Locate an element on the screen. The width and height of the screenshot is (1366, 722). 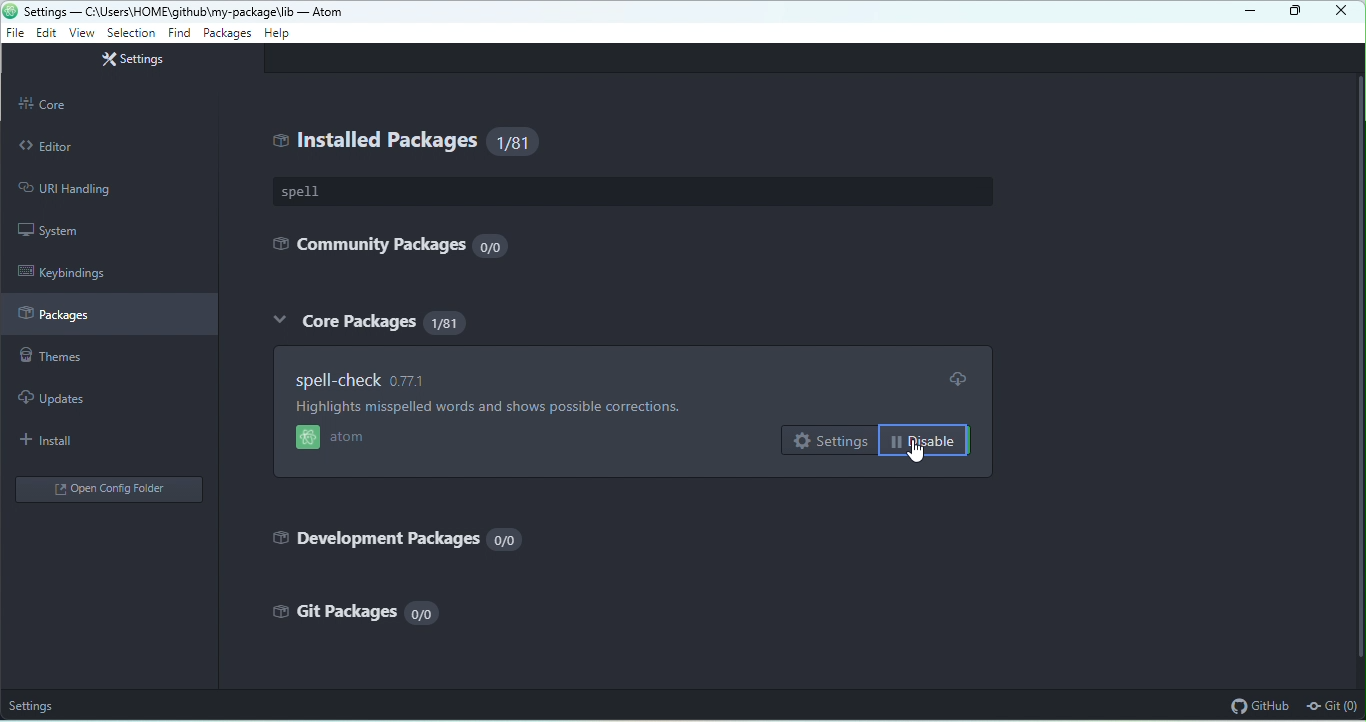
help is located at coordinates (278, 32).